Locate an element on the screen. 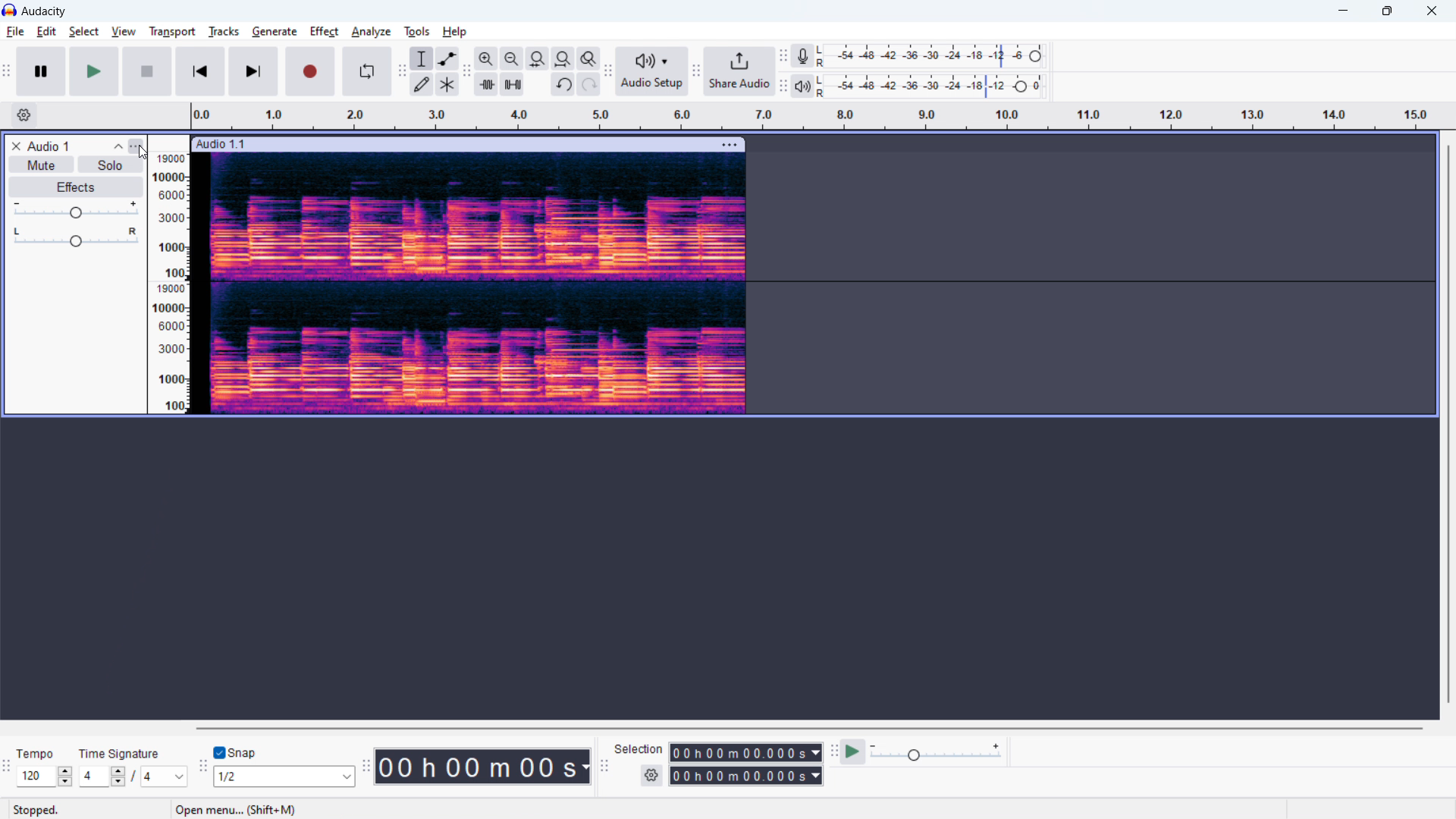 This screenshot has height=819, width=1456. time signature toolbar is located at coordinates (7, 769).